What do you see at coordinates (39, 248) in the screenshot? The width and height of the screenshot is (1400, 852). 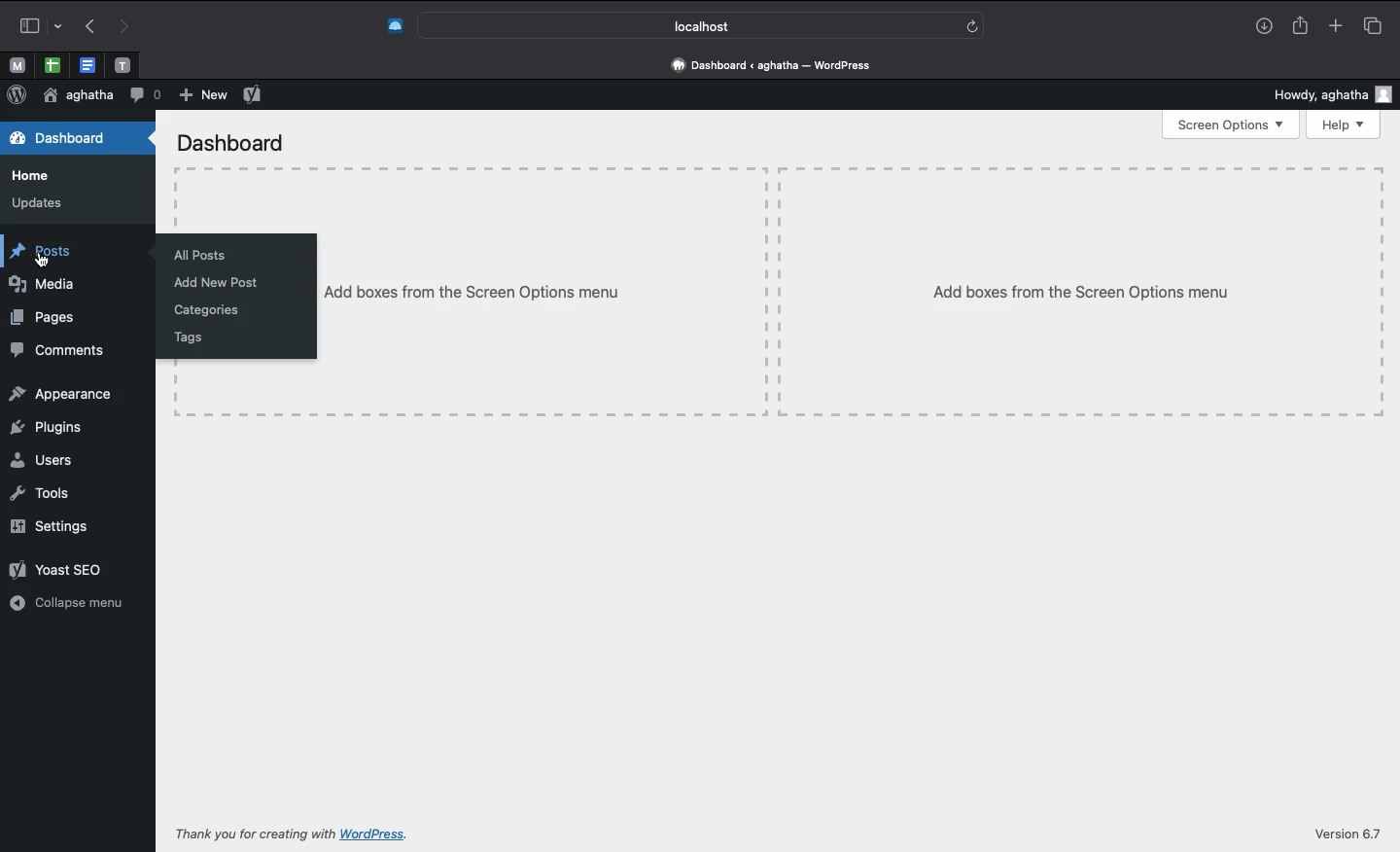 I see `Posts` at bounding box center [39, 248].